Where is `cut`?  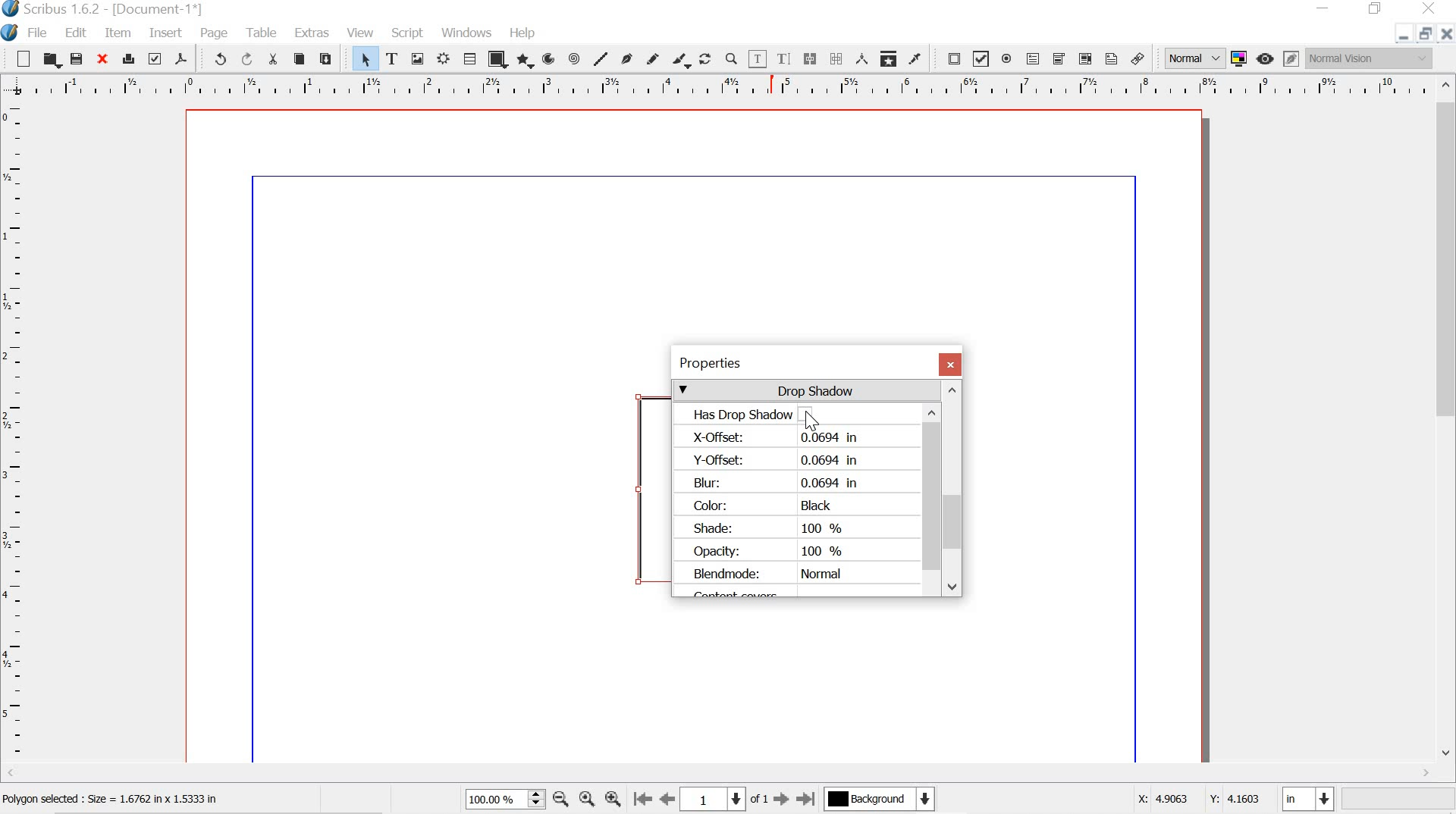
cut is located at coordinates (273, 59).